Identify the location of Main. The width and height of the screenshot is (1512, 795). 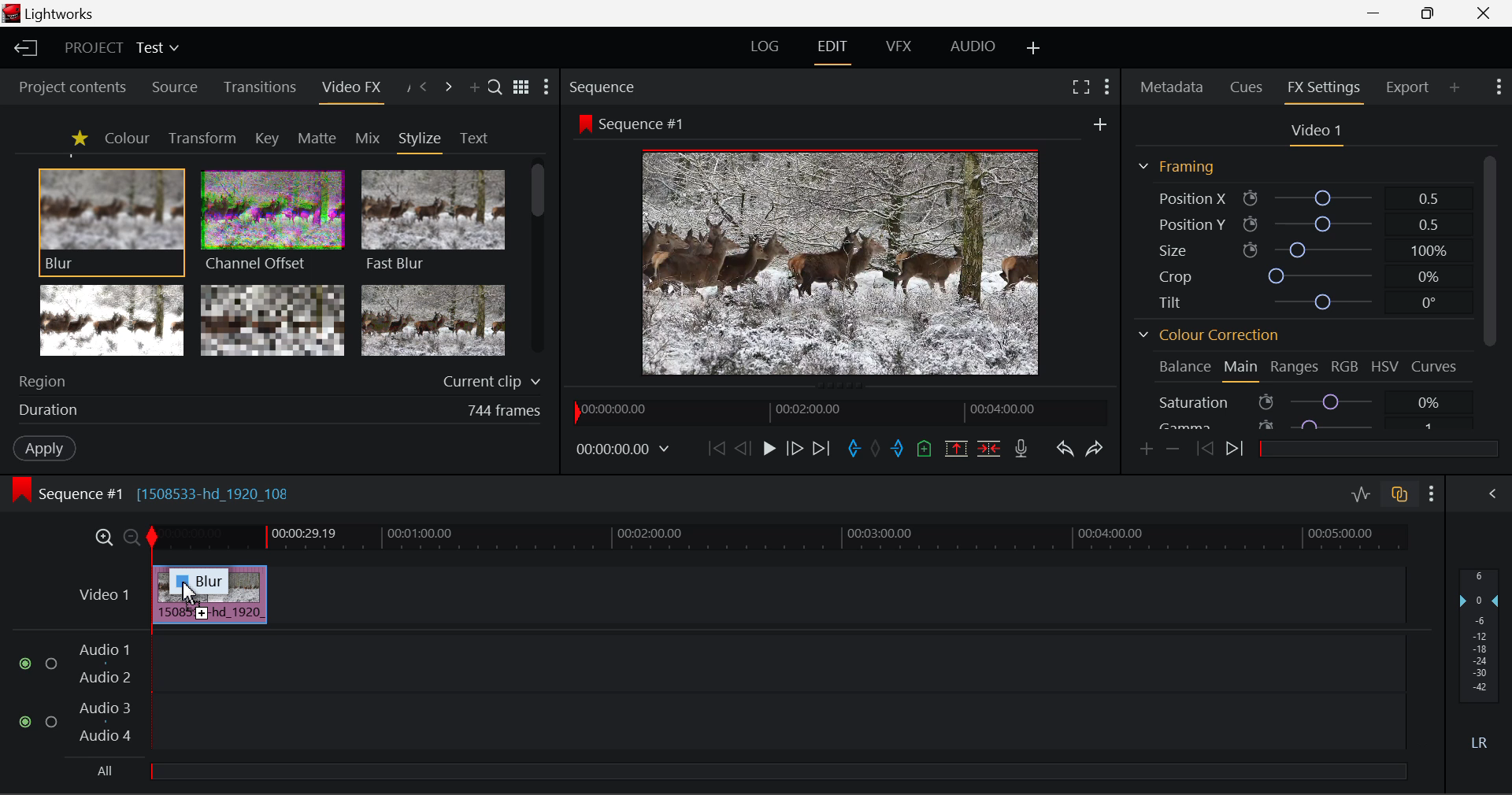
(1242, 370).